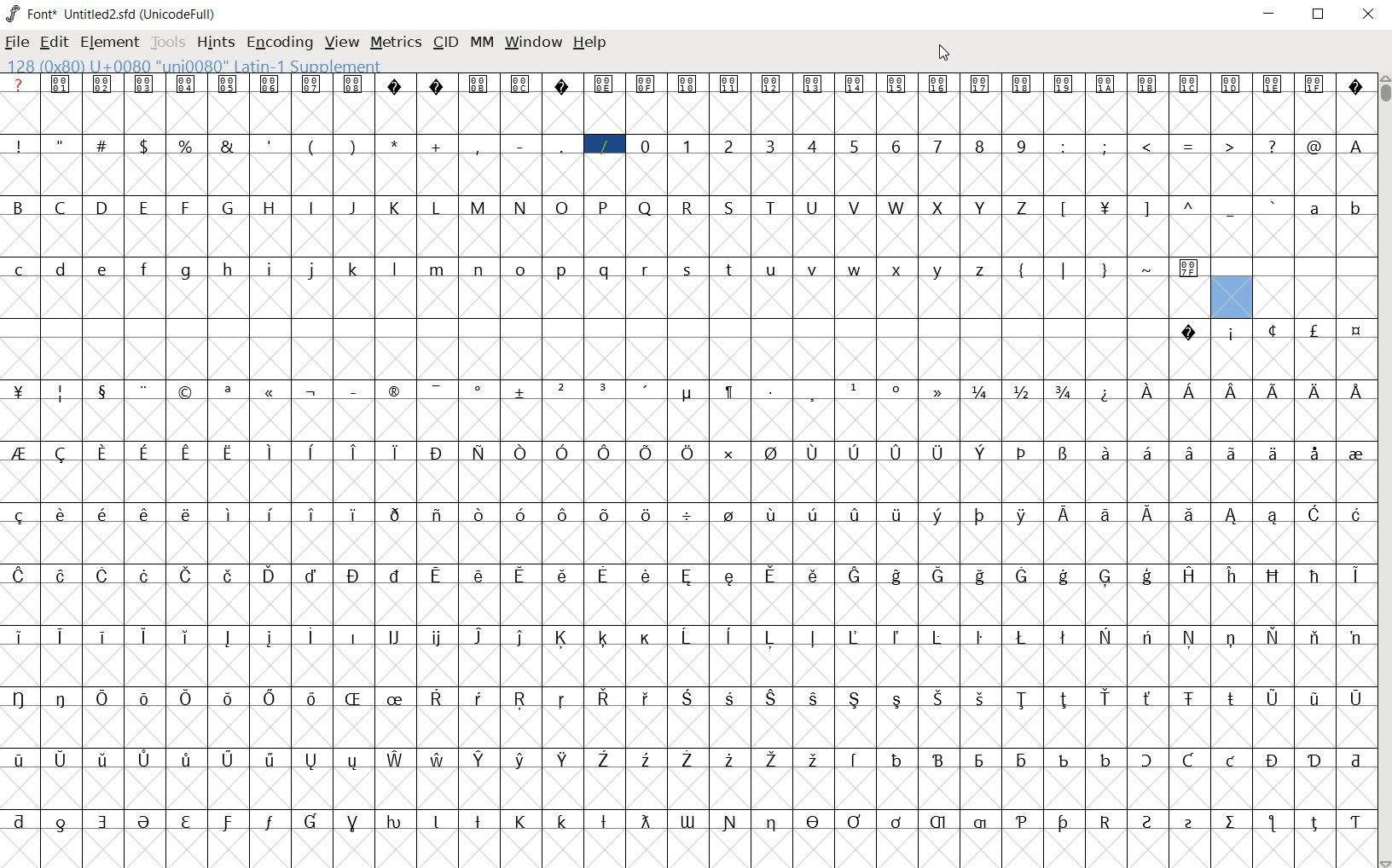  Describe the element at coordinates (937, 208) in the screenshot. I see `glyph` at that location.